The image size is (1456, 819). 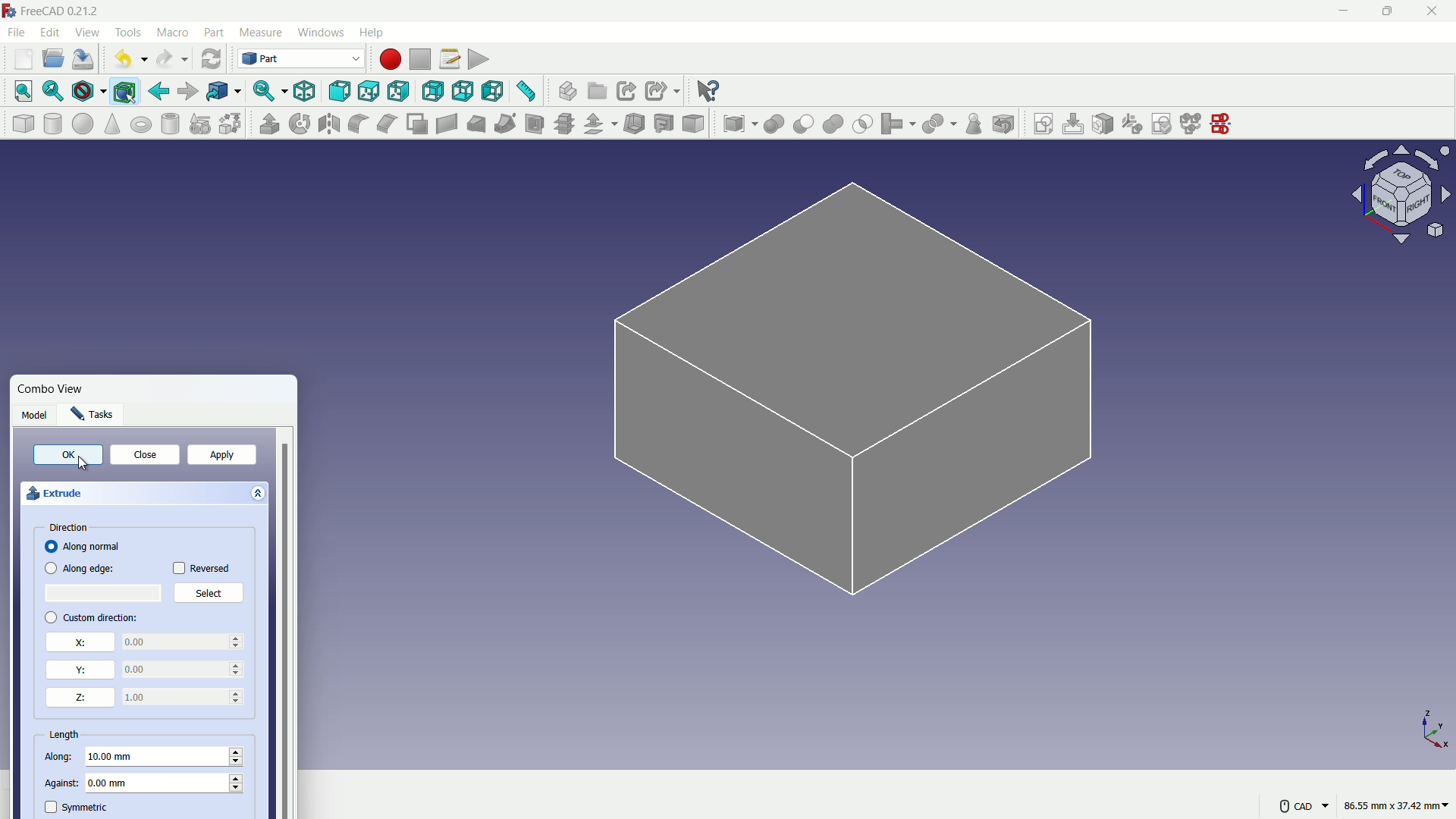 I want to click on fit all, so click(x=25, y=91).